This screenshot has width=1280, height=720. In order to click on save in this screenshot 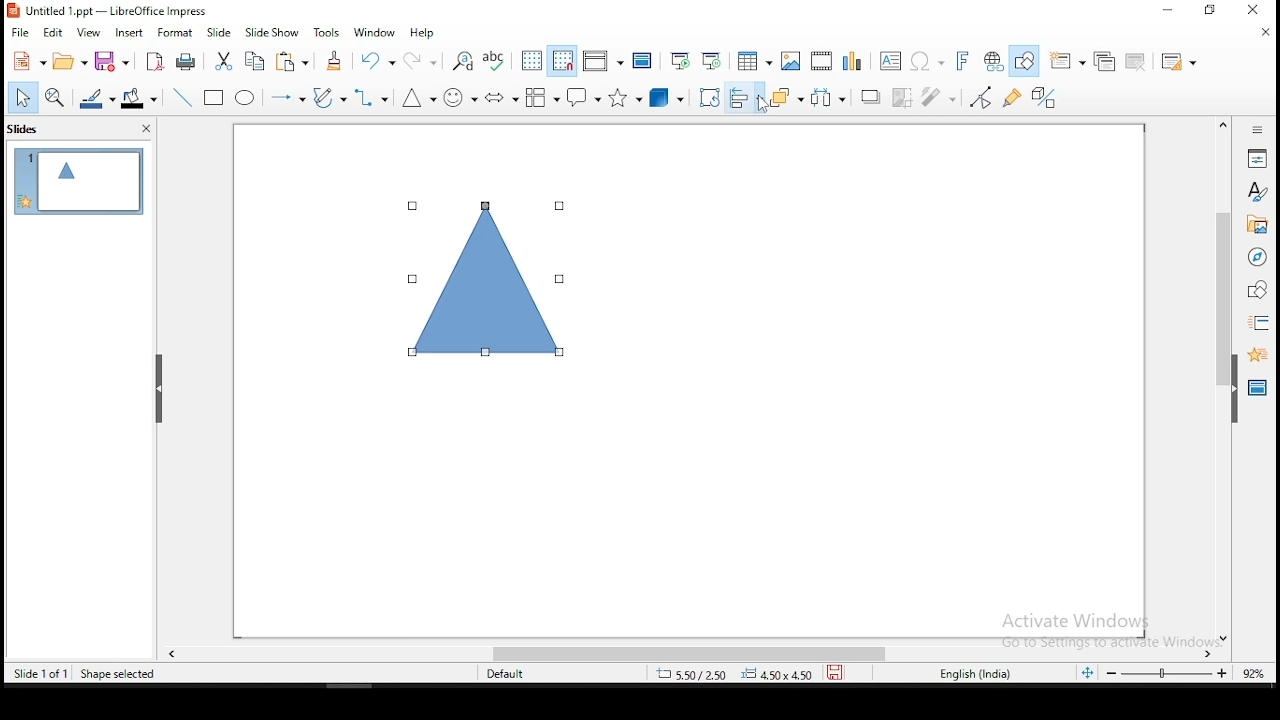, I will do `click(835, 675)`.